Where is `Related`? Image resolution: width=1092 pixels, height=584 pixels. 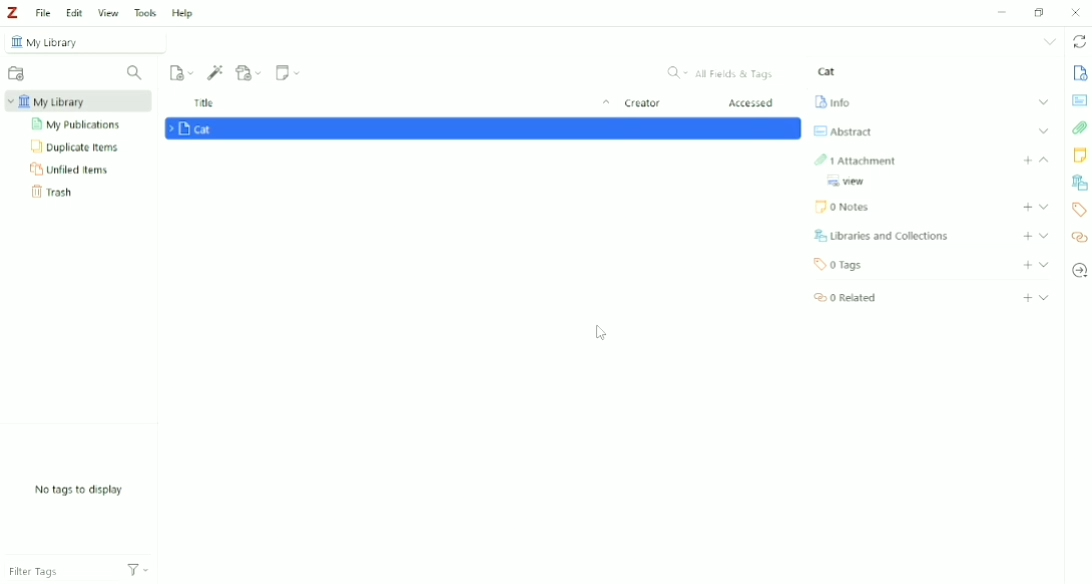
Related is located at coordinates (841, 297).